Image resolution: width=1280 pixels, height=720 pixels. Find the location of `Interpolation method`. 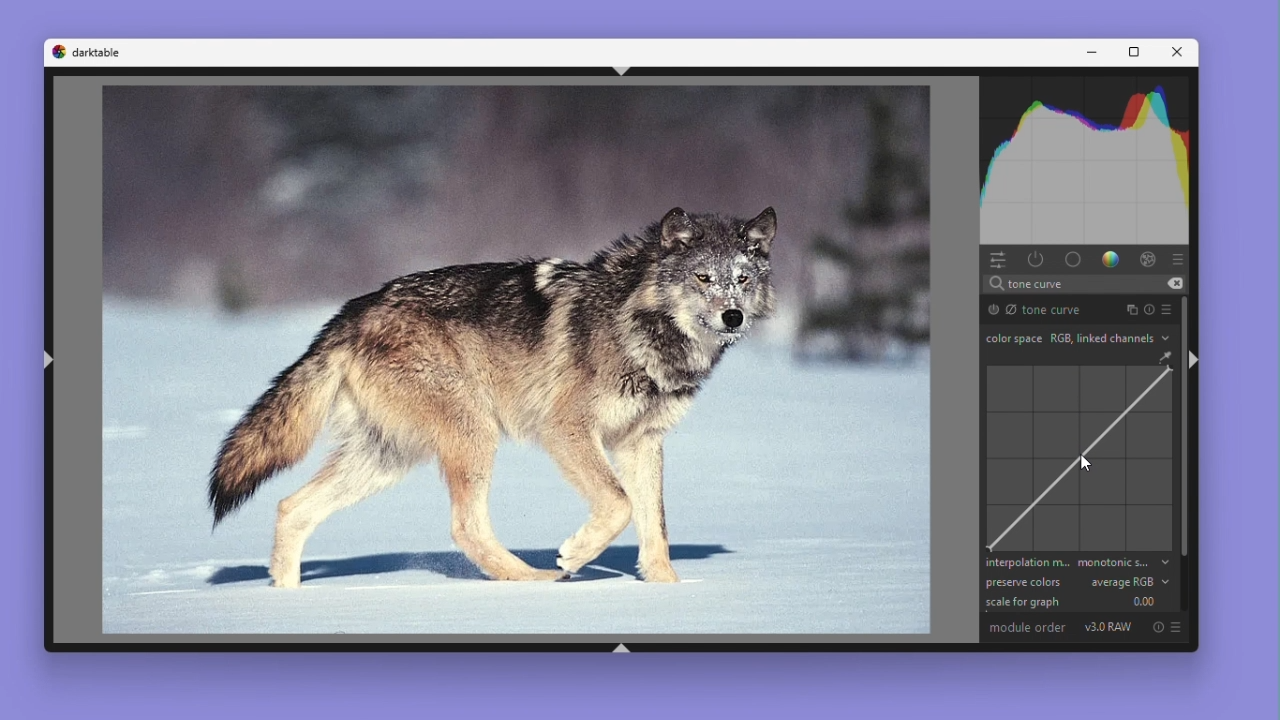

Interpolation method is located at coordinates (1076, 563).